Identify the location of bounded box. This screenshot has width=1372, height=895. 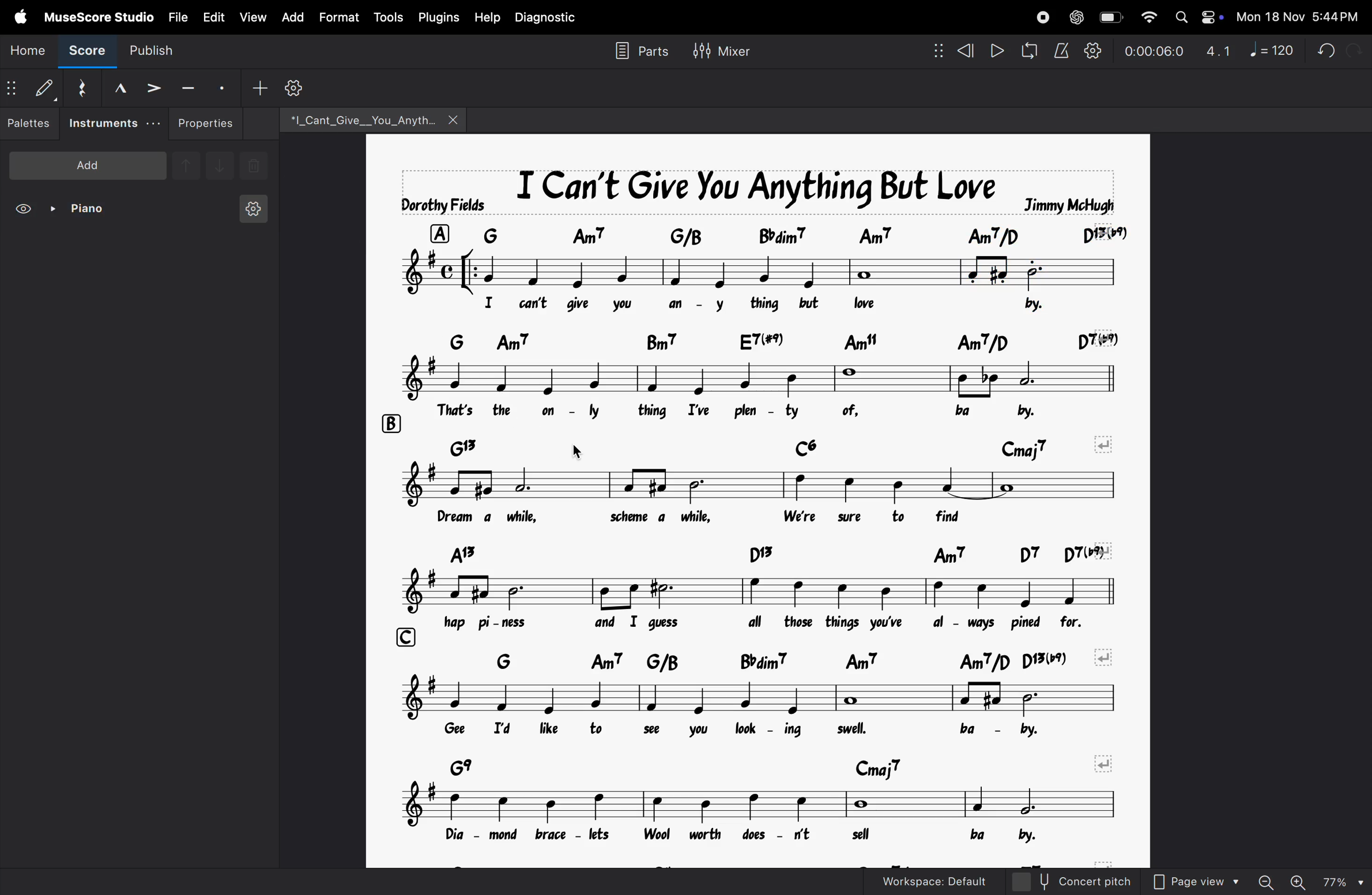
(1036, 272).